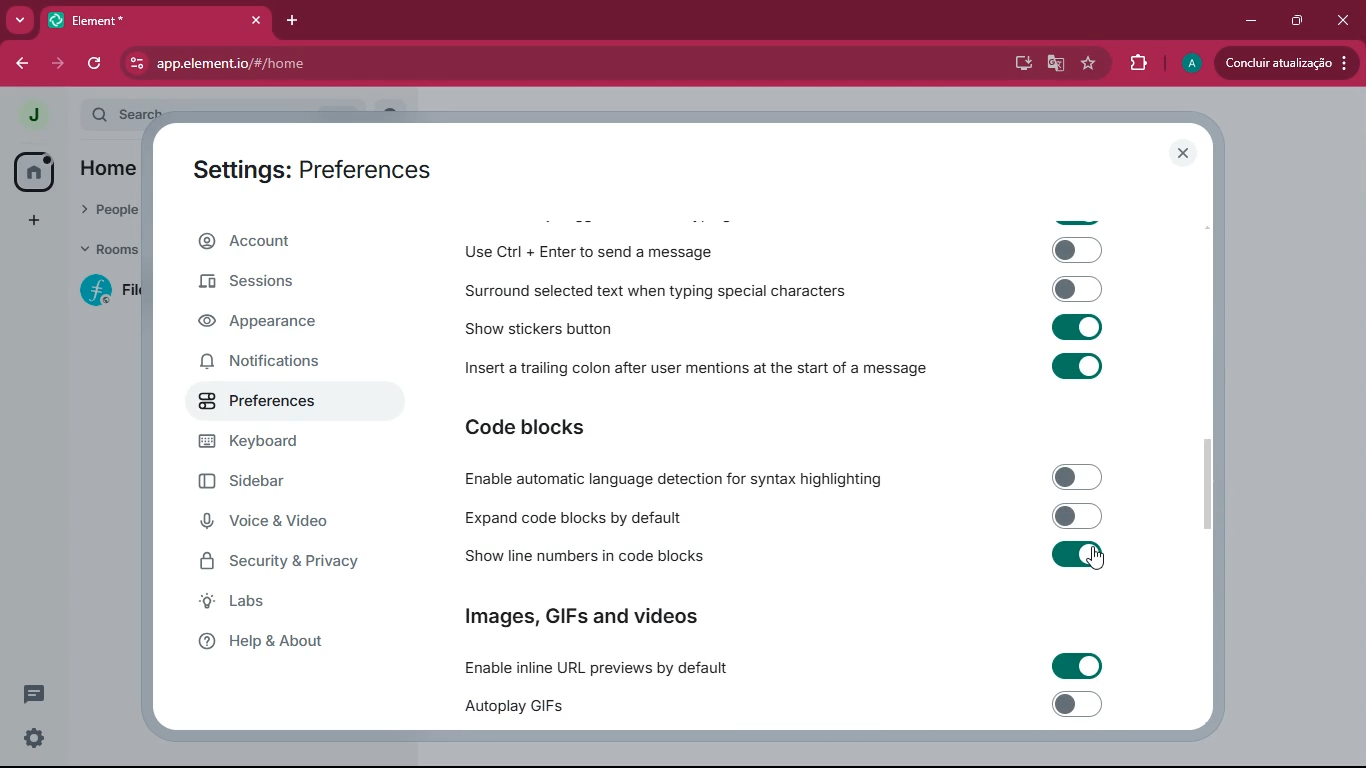 This screenshot has width=1366, height=768. What do you see at coordinates (1213, 483) in the screenshot?
I see `scroll bar ` at bounding box center [1213, 483].